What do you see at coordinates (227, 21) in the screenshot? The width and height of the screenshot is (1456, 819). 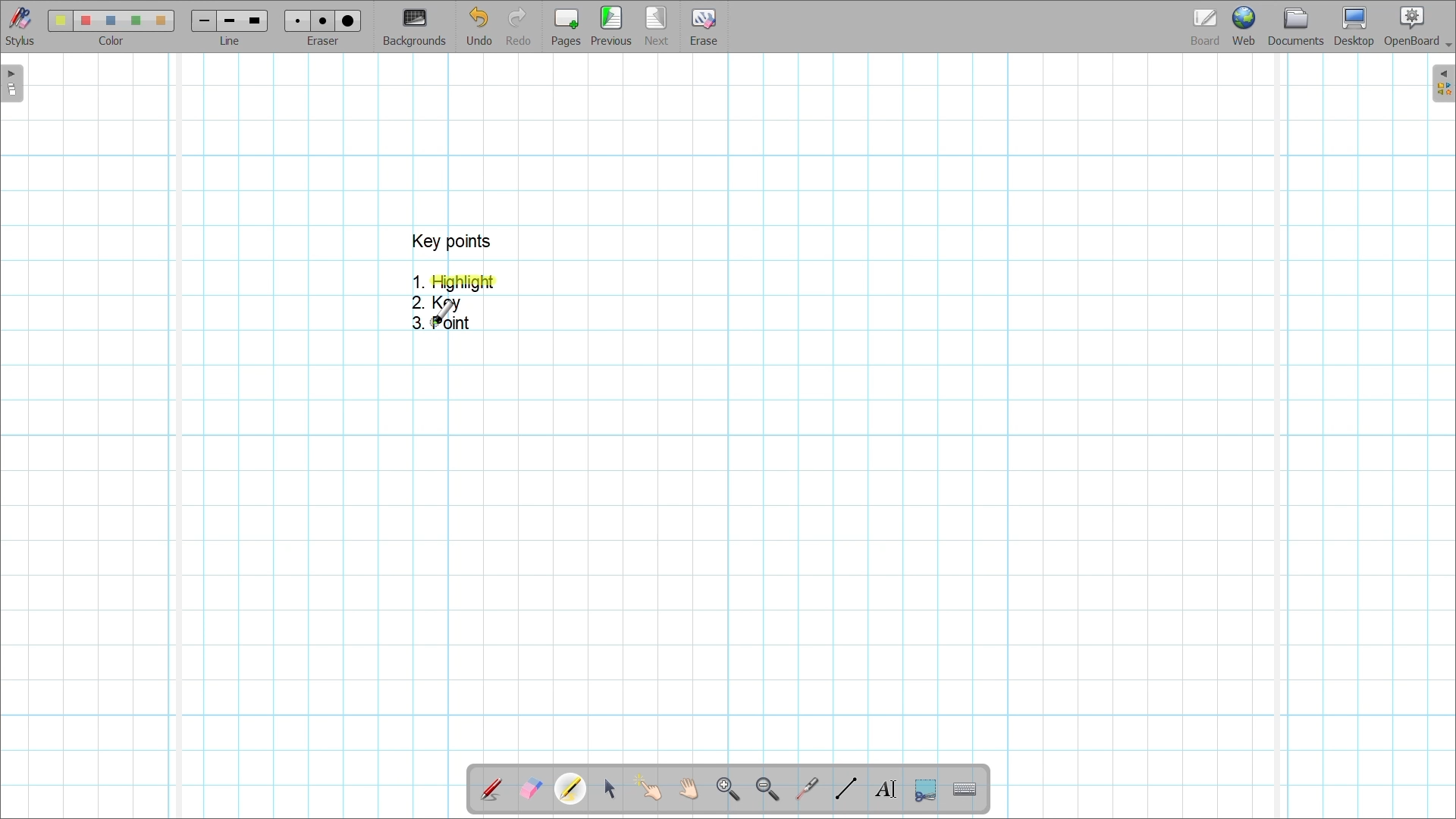 I see `line 2` at bounding box center [227, 21].